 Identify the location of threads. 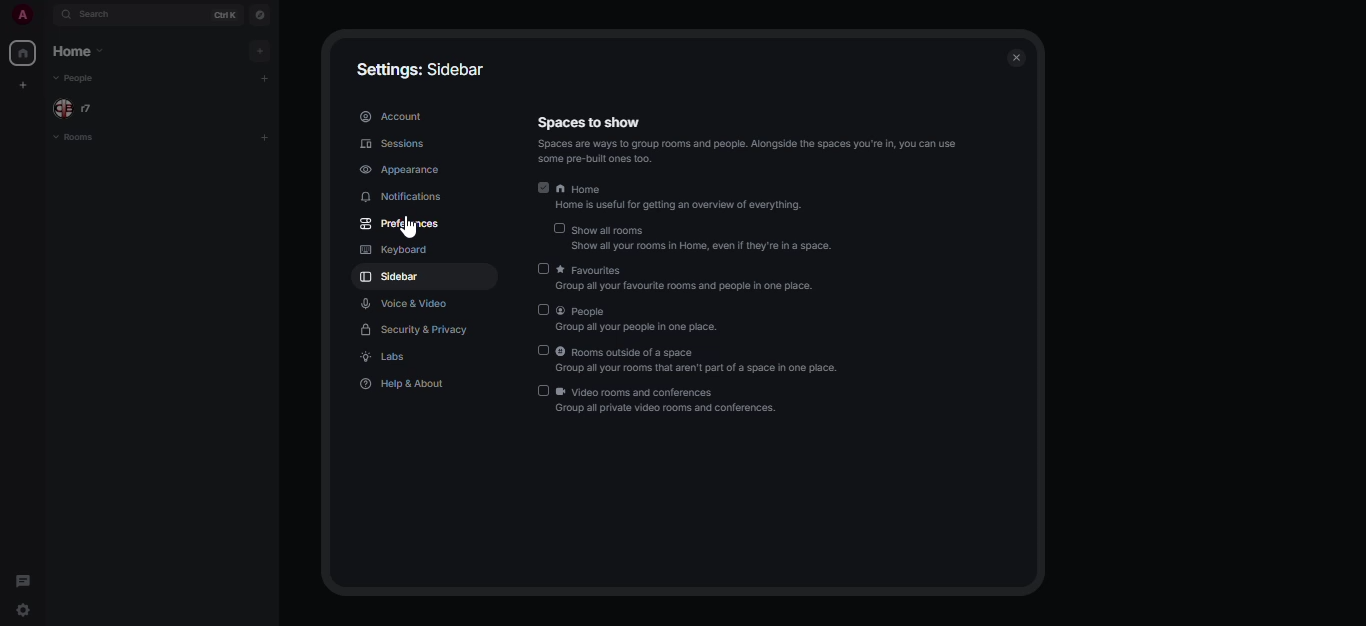
(29, 578).